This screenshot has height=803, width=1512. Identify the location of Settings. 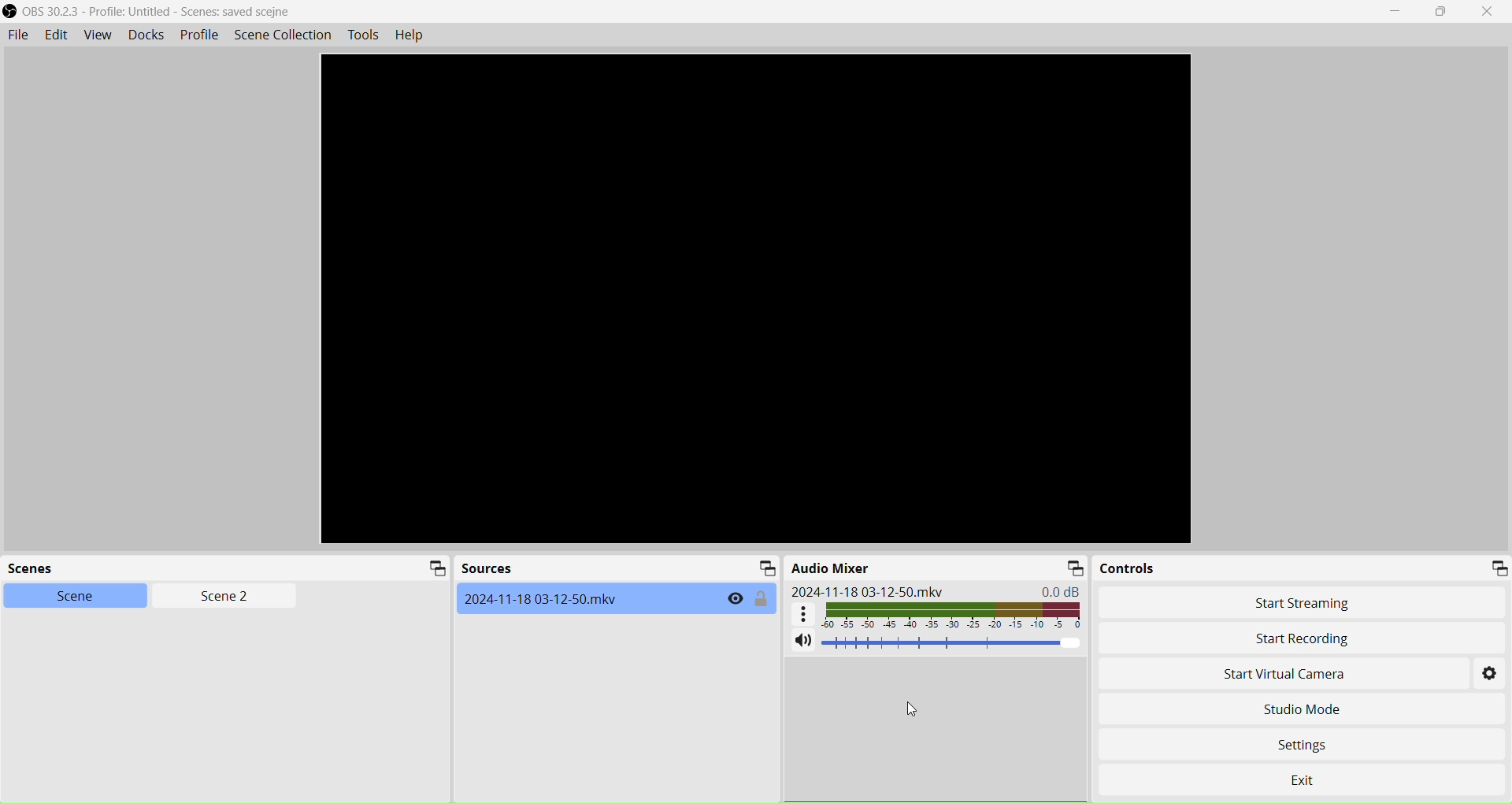
(1491, 675).